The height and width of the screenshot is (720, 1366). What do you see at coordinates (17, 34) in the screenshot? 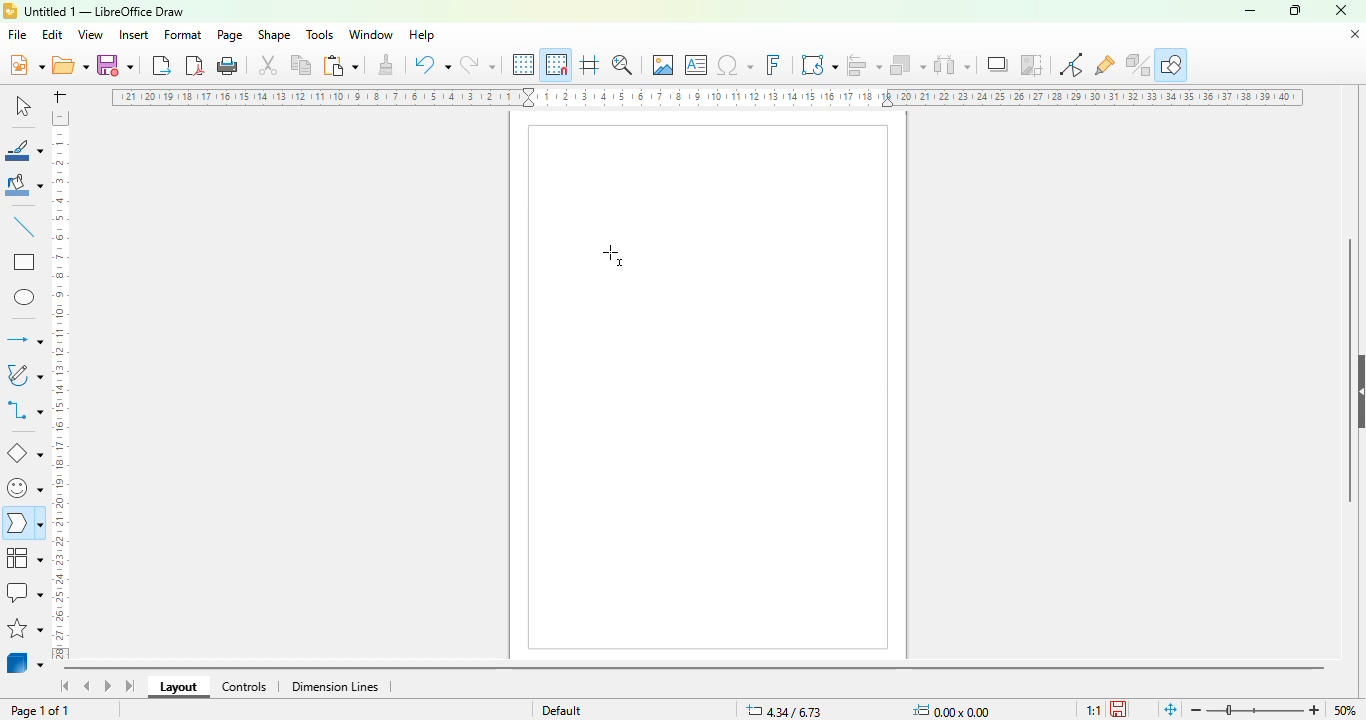
I see `file` at bounding box center [17, 34].